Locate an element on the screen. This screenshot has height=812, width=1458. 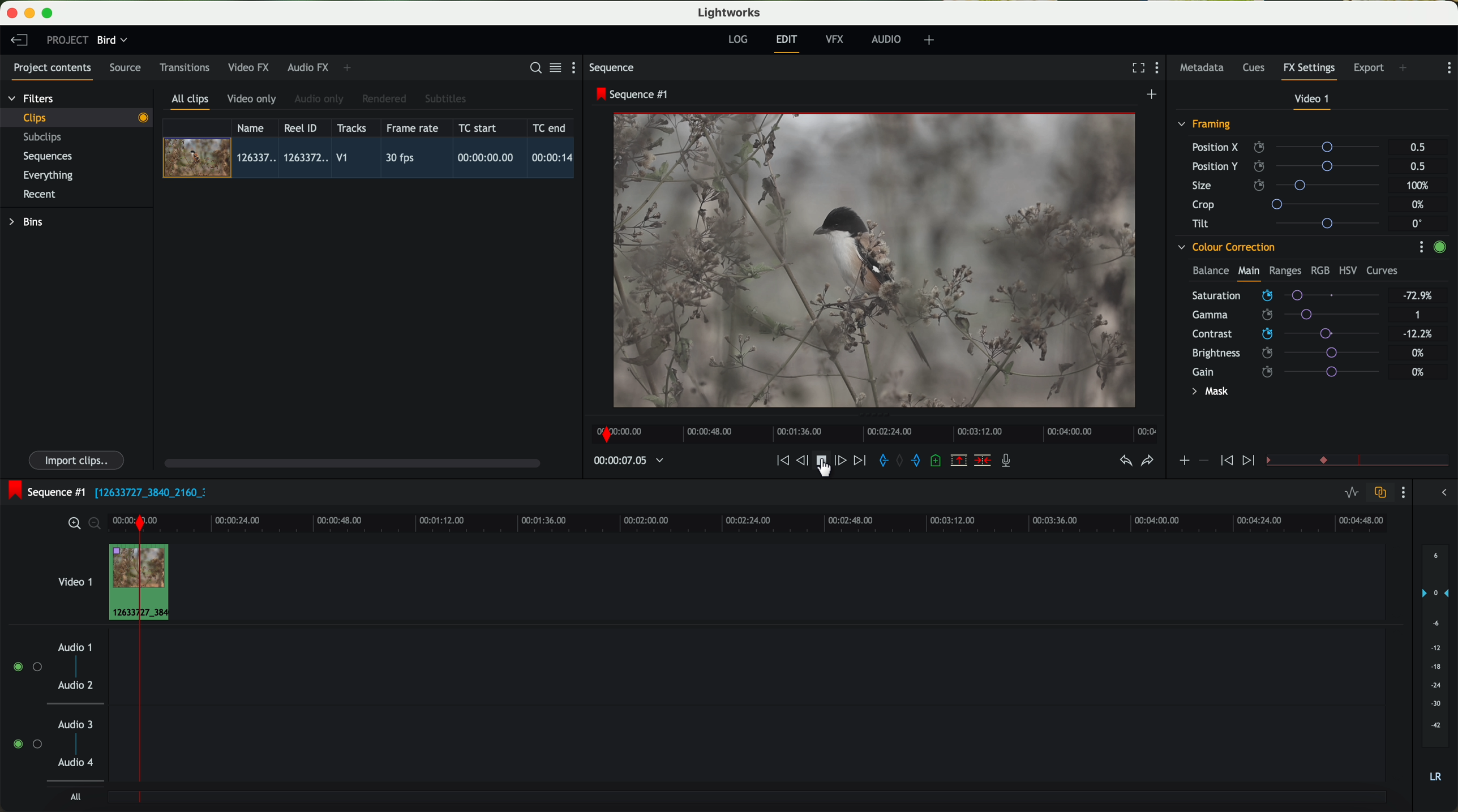
tracks is located at coordinates (350, 128).